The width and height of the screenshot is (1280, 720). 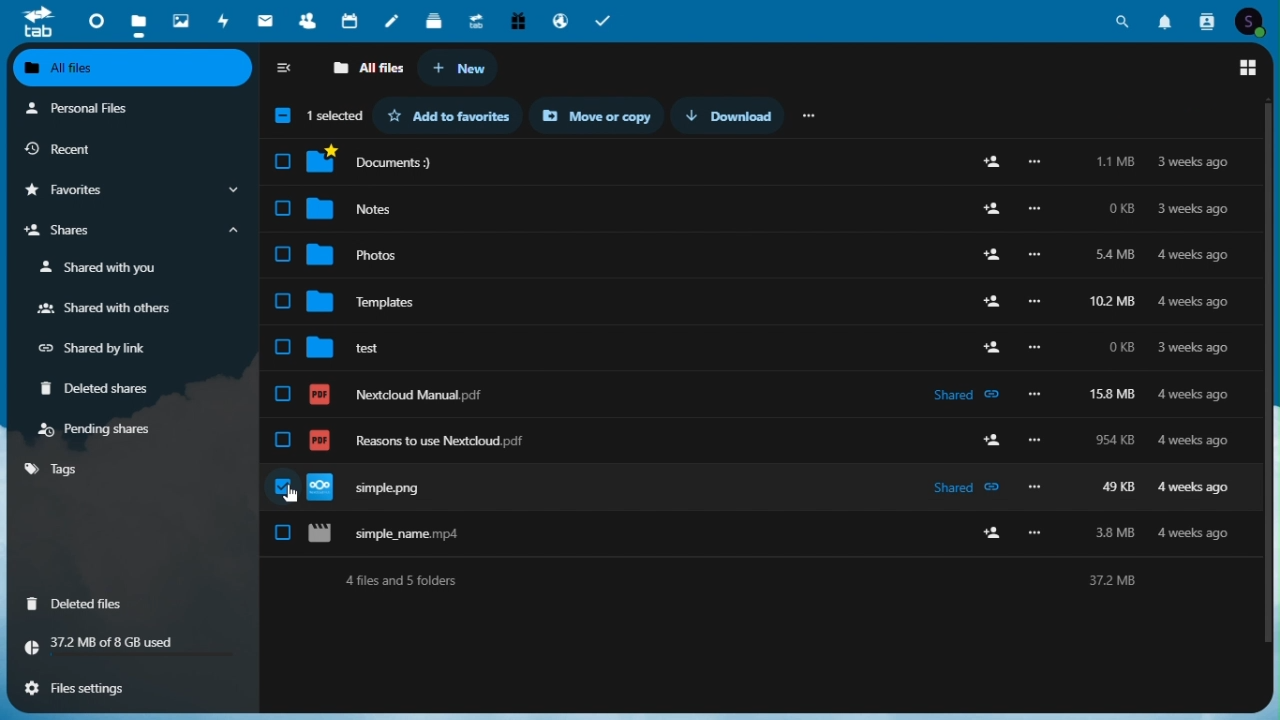 I want to click on tags, so click(x=55, y=469).